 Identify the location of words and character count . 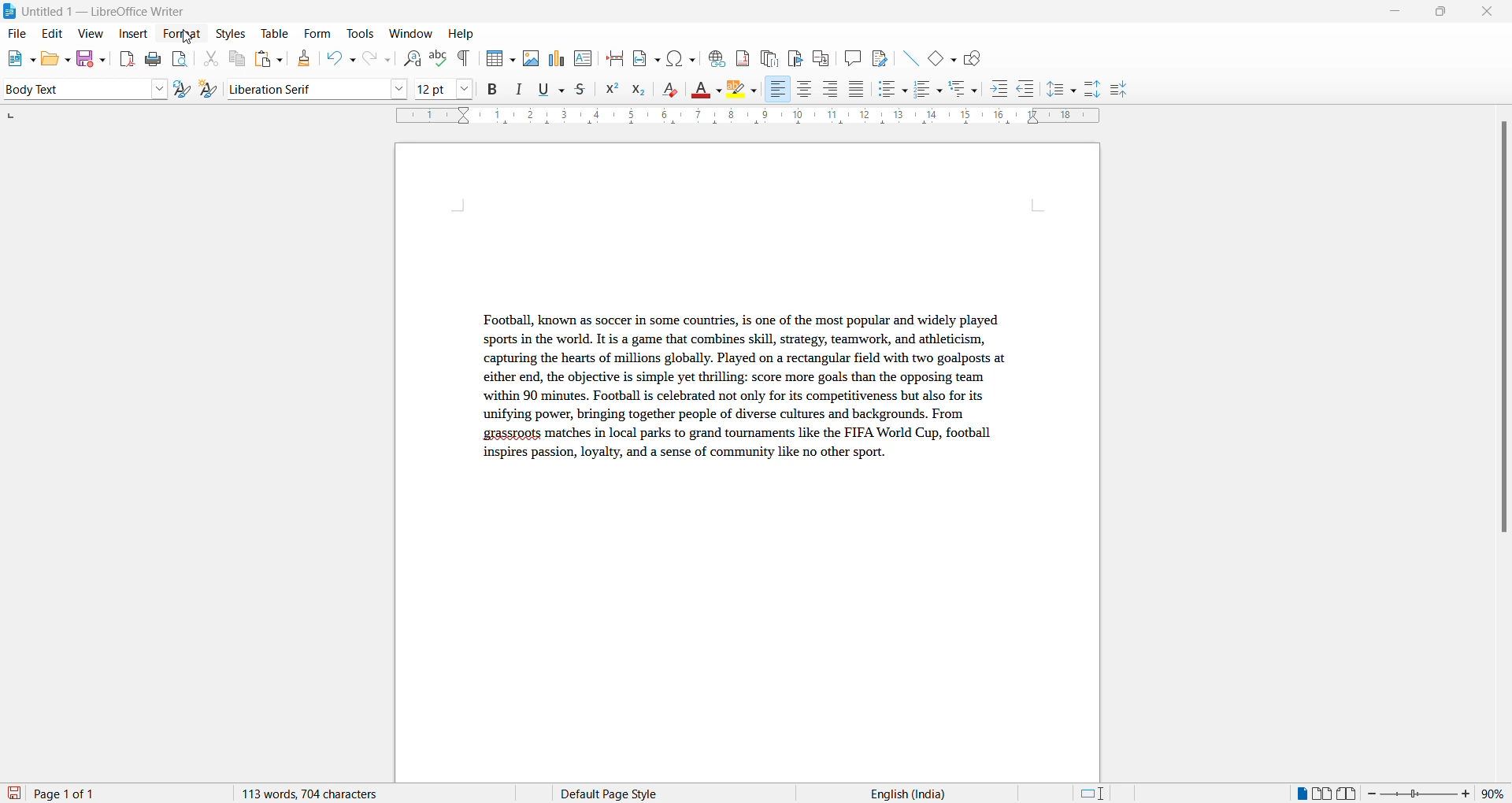
(325, 794).